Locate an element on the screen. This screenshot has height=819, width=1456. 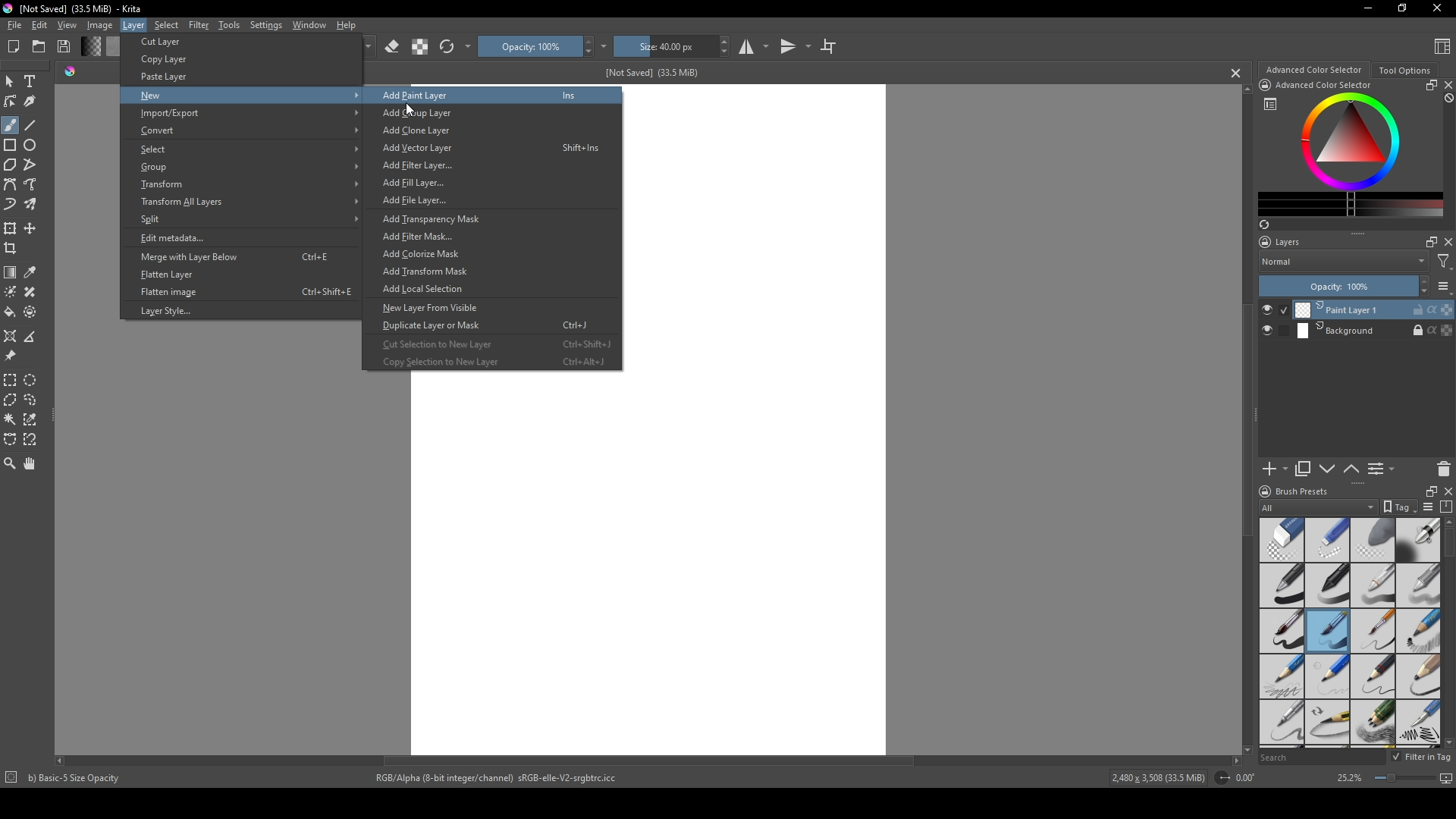
Add Clone Layer is located at coordinates (425, 130).